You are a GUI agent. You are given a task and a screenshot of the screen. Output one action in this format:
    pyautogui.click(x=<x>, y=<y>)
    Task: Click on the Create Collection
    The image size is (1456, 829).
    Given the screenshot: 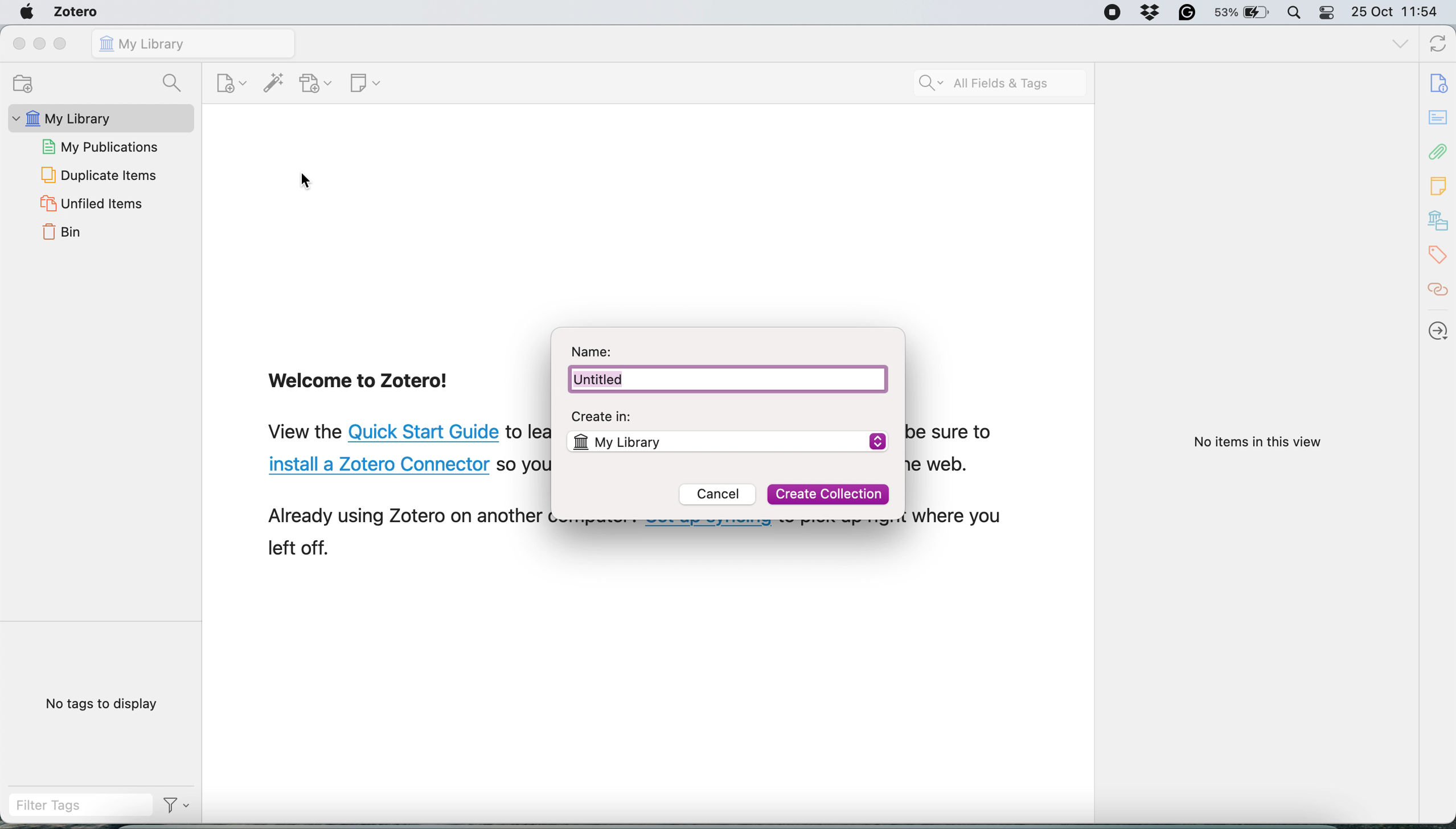 What is the action you would take?
    pyautogui.click(x=828, y=494)
    